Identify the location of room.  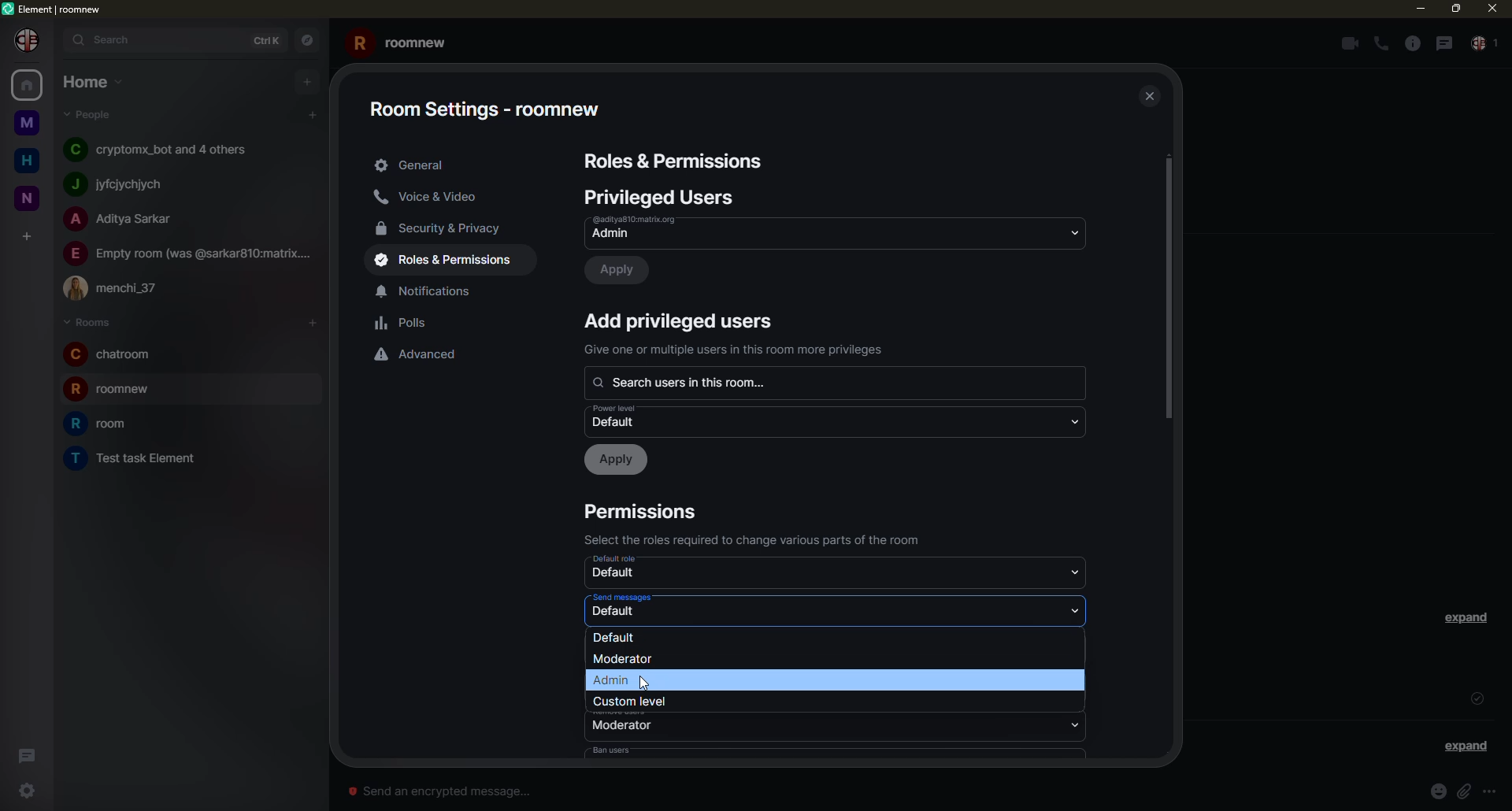
(135, 457).